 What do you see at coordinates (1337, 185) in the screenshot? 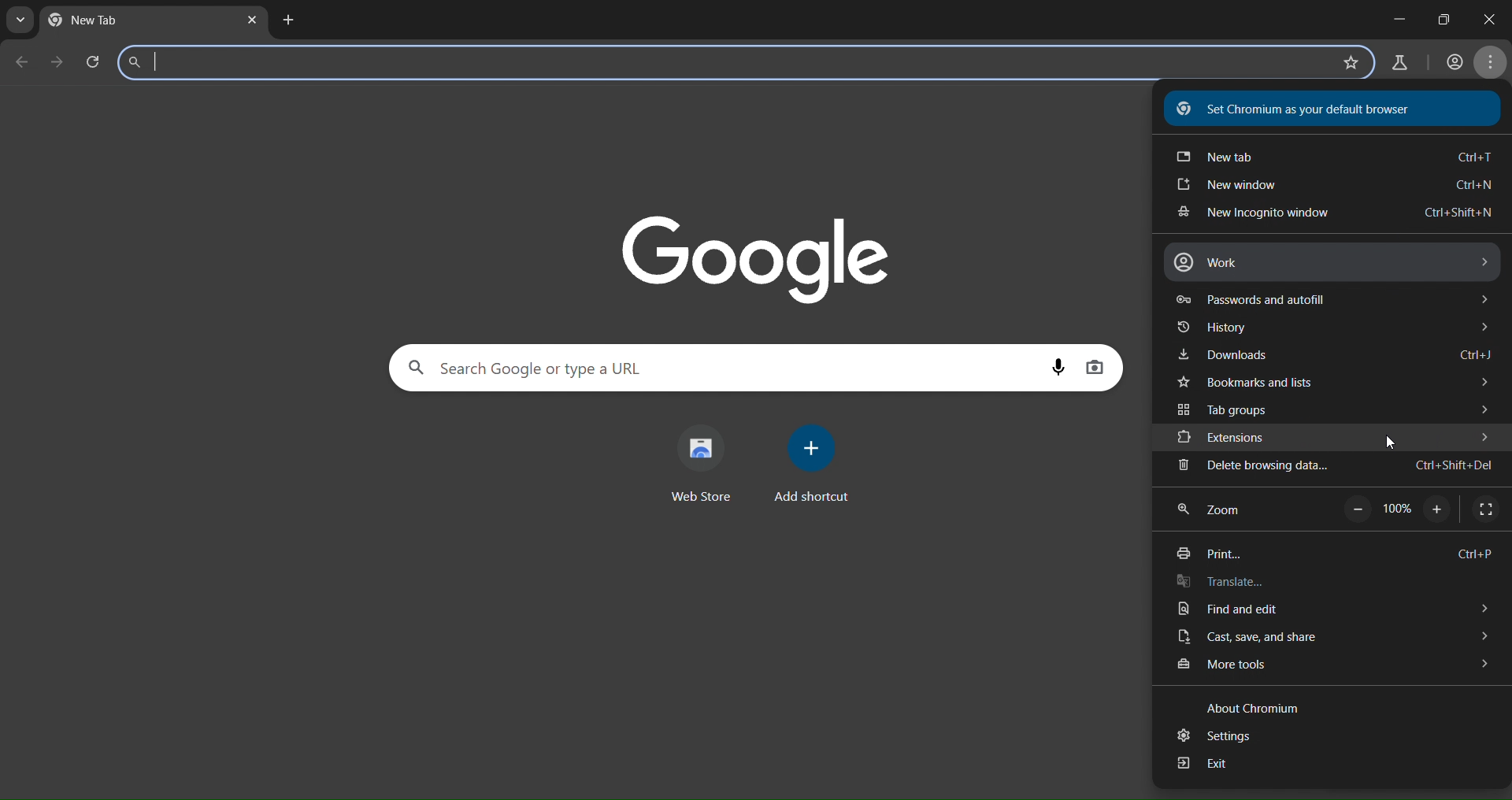
I see `new window` at bounding box center [1337, 185].